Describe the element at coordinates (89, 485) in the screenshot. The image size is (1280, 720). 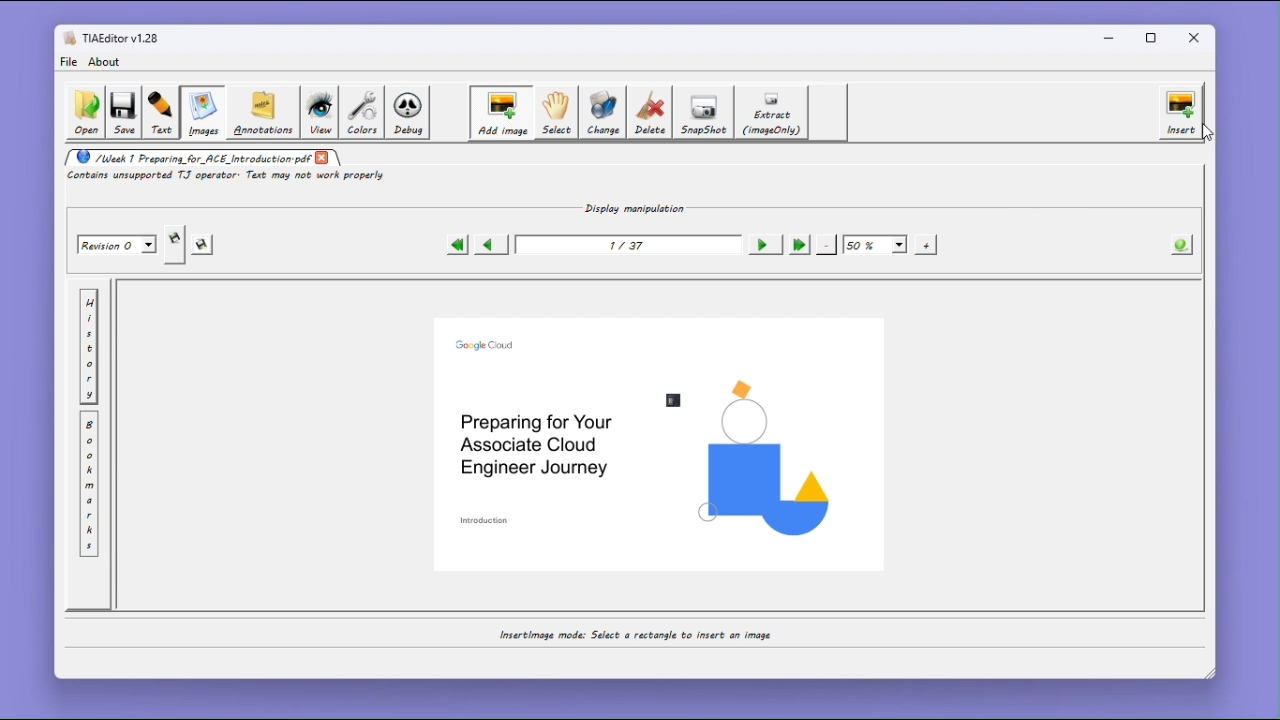
I see `Bookmark` at that location.